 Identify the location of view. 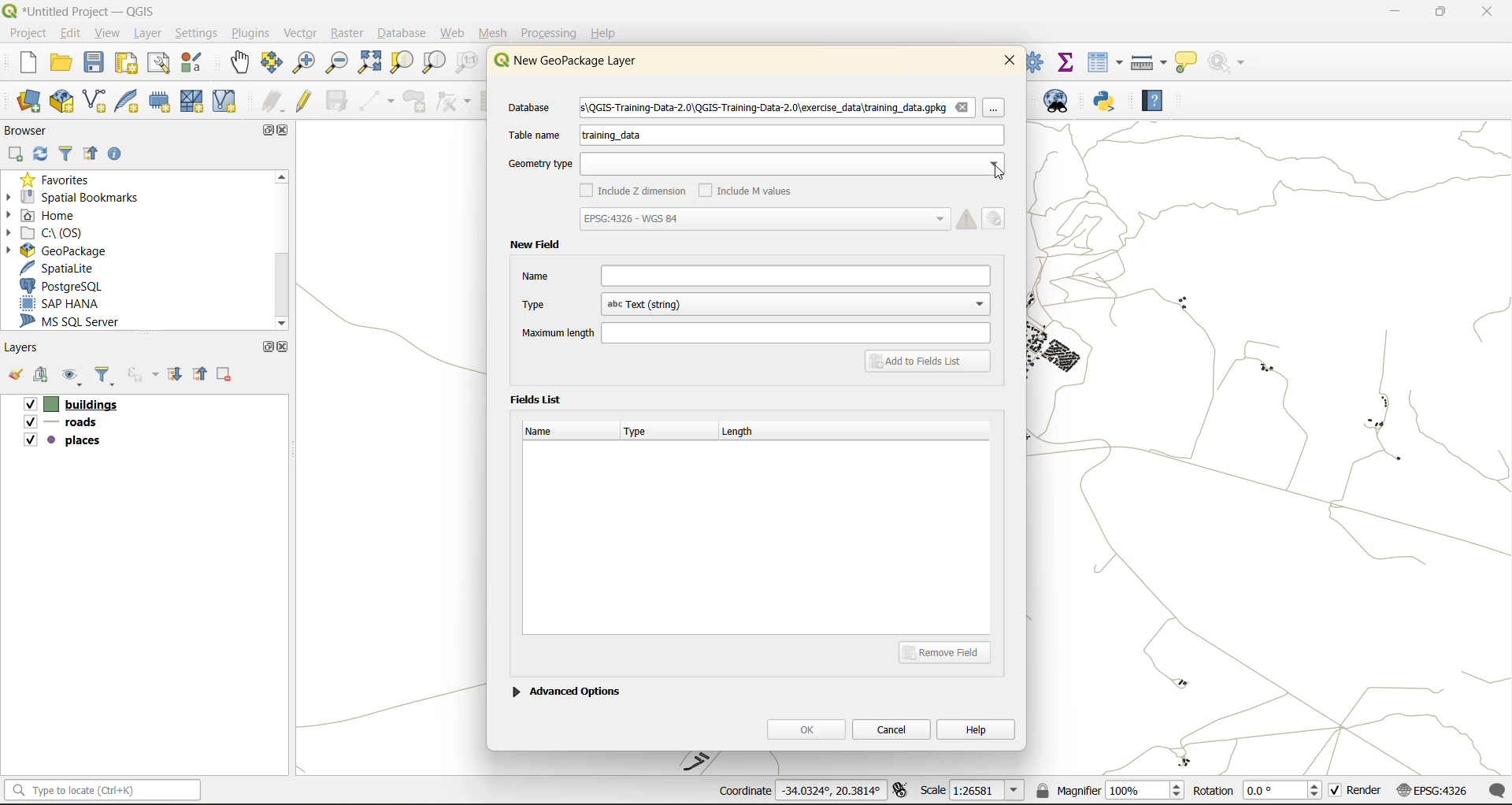
(109, 32).